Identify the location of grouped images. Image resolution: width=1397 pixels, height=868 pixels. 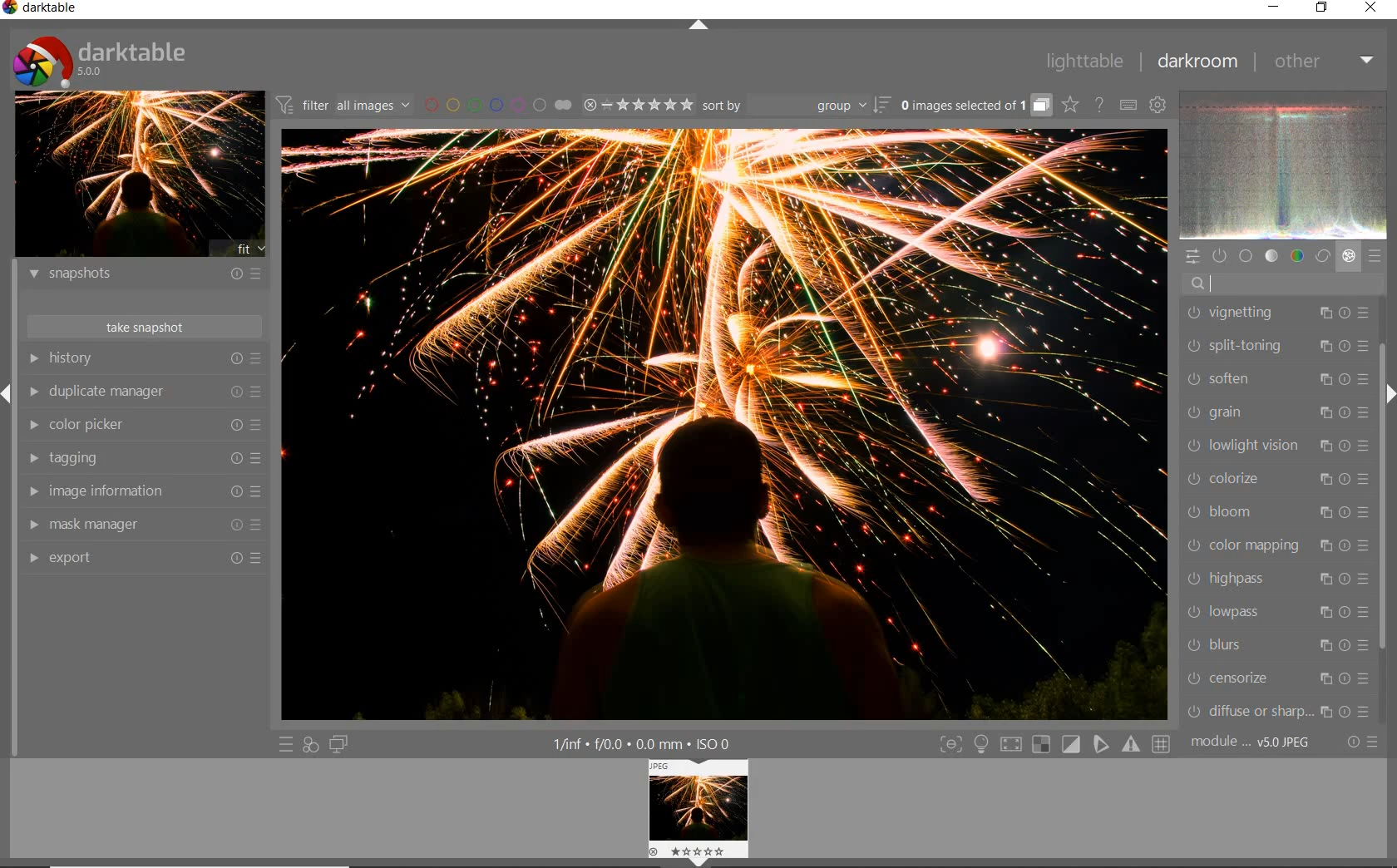
(975, 104).